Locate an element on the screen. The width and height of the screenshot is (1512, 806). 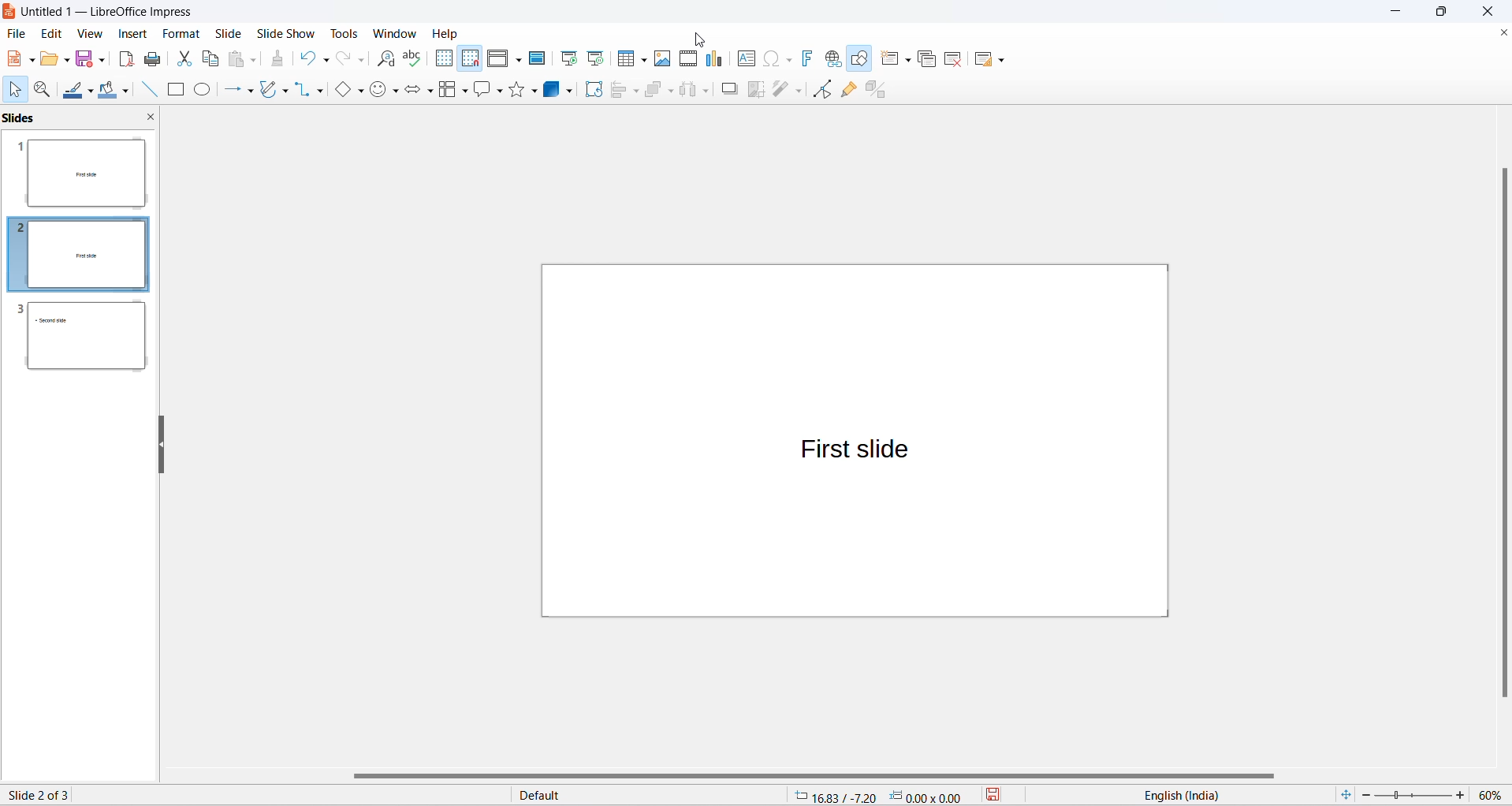
cut is located at coordinates (183, 58).